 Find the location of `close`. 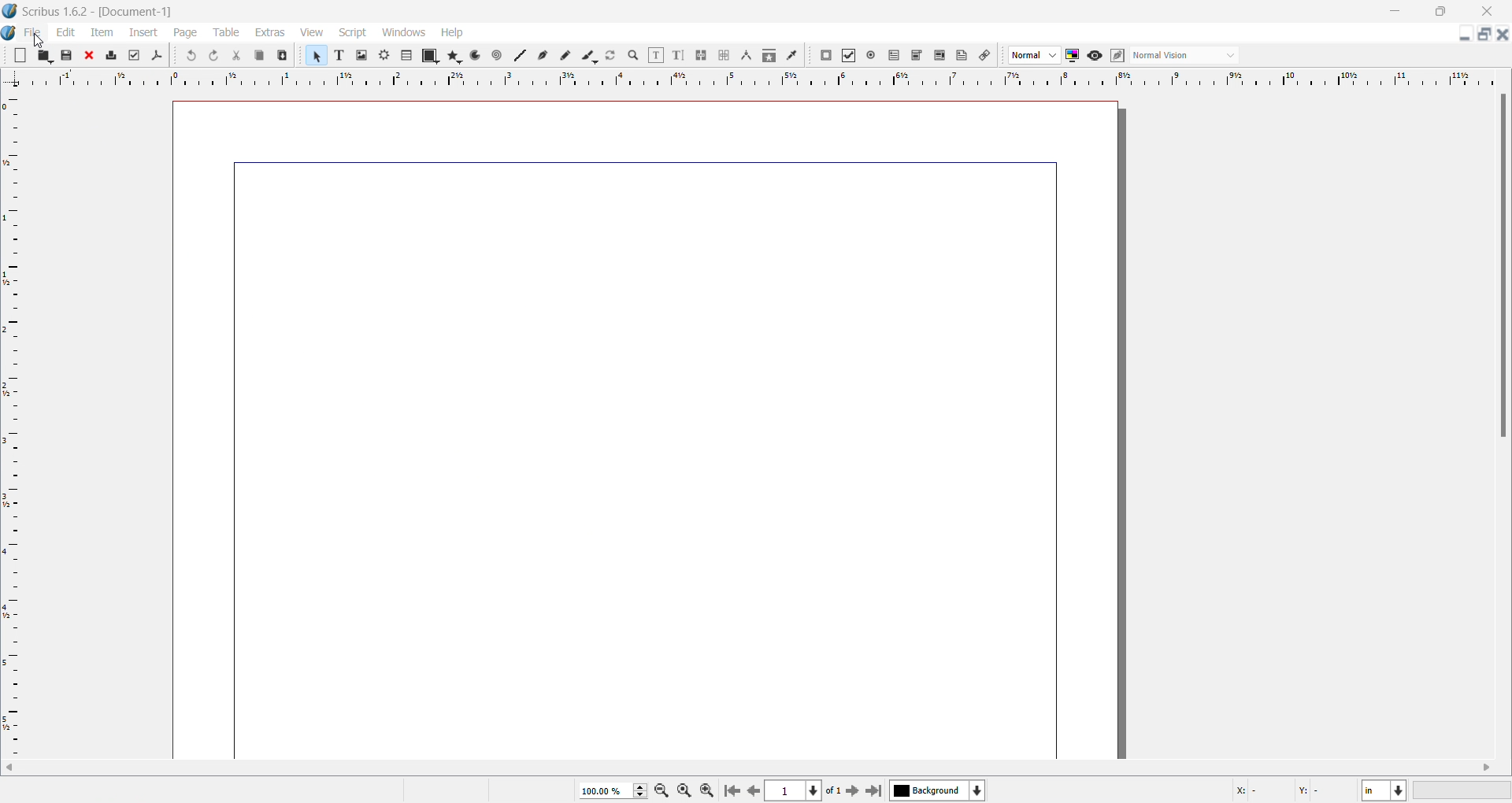

close is located at coordinates (1503, 36).